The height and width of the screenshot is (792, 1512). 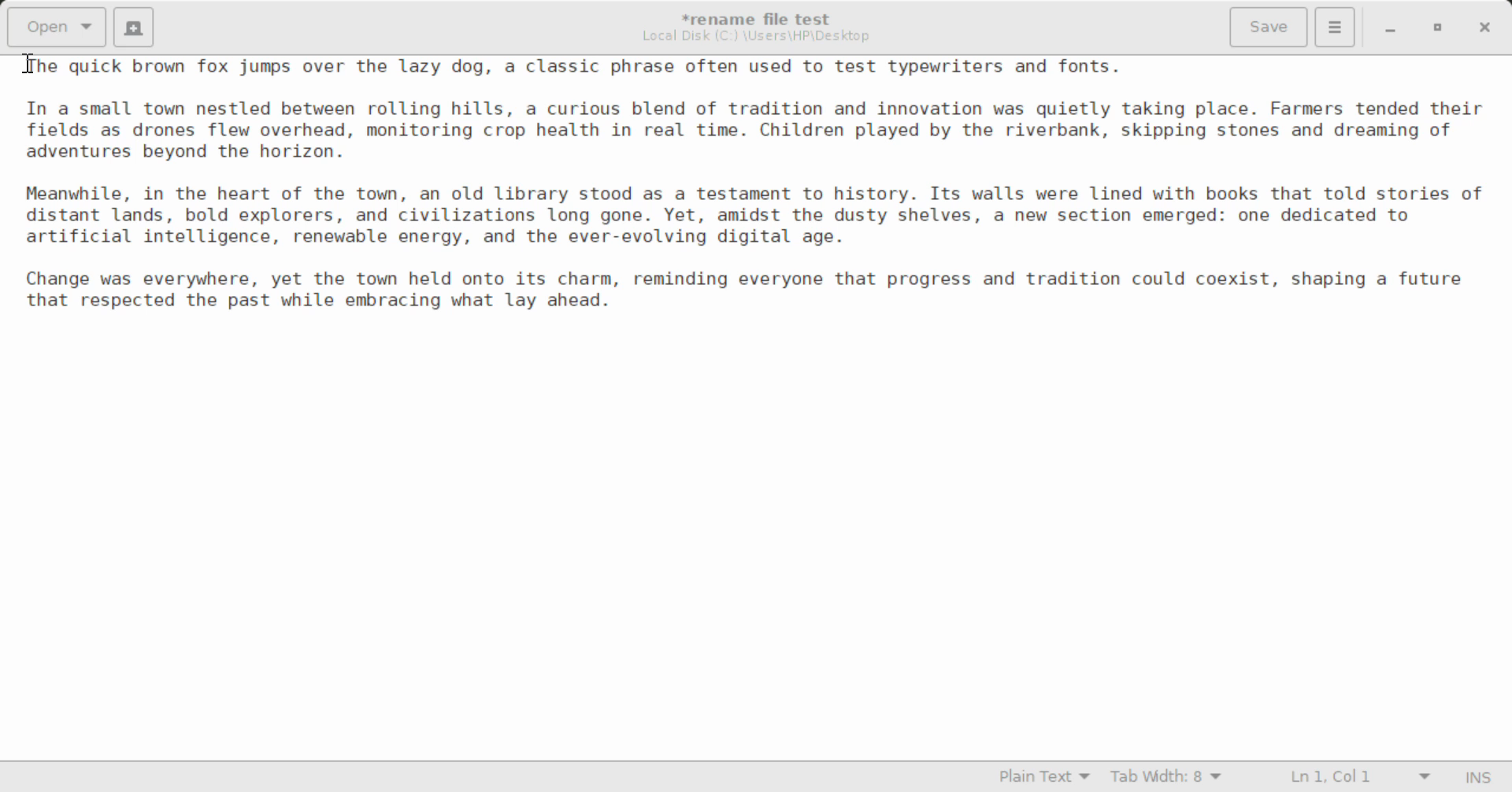 I want to click on Selected Language, so click(x=1044, y=776).